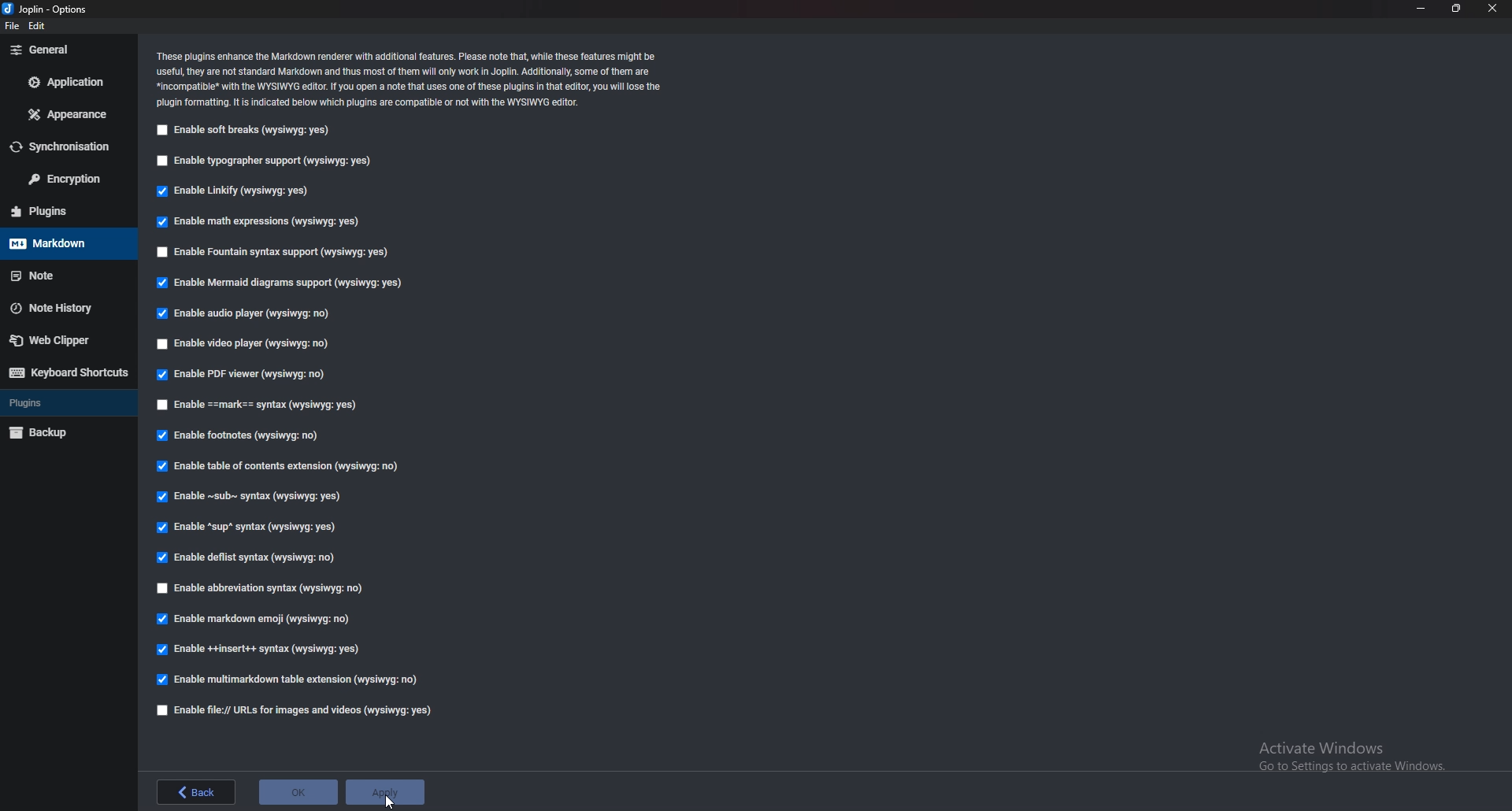  What do you see at coordinates (59, 276) in the screenshot?
I see `note` at bounding box center [59, 276].